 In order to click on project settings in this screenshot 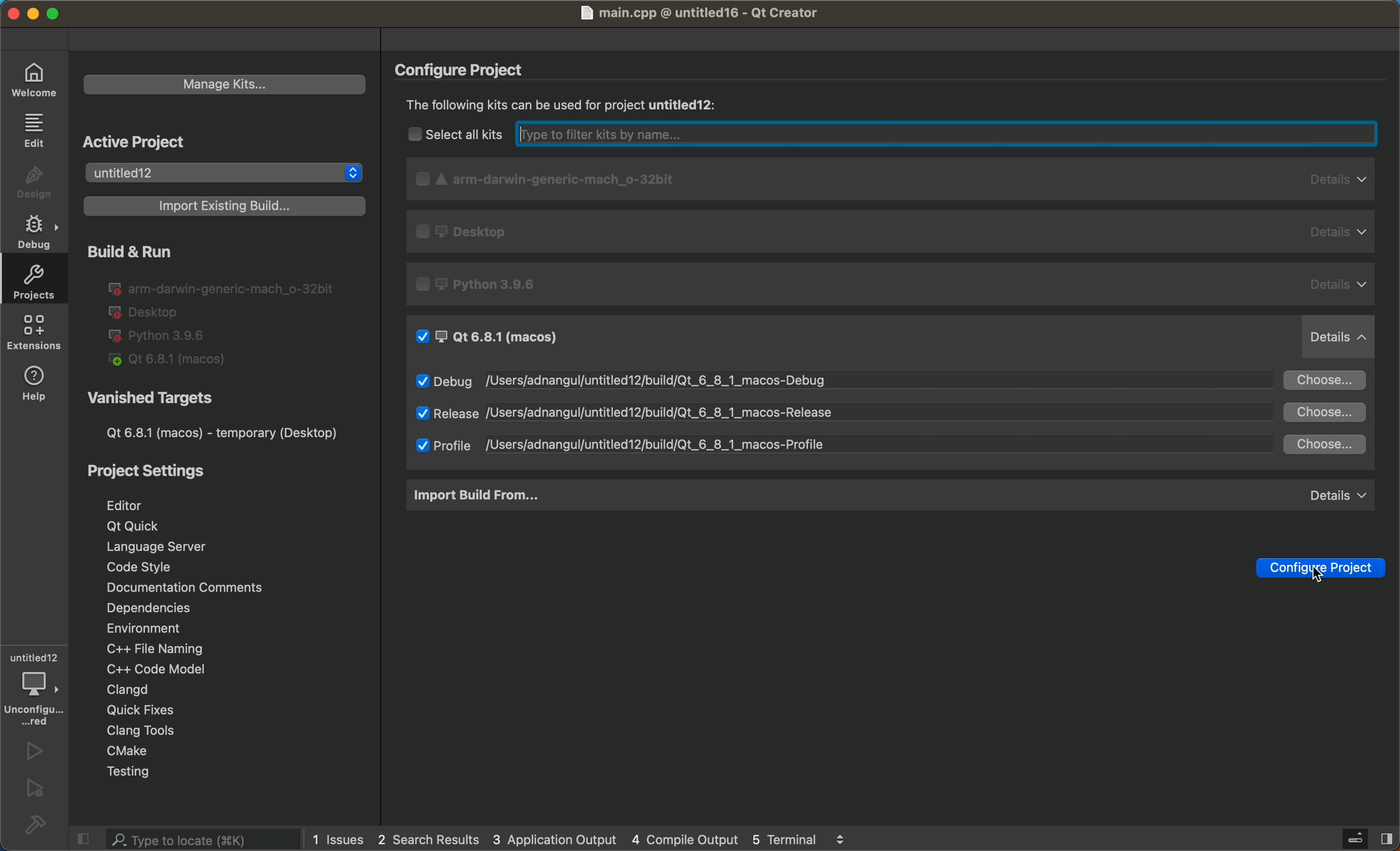, I will do `click(227, 586)`.